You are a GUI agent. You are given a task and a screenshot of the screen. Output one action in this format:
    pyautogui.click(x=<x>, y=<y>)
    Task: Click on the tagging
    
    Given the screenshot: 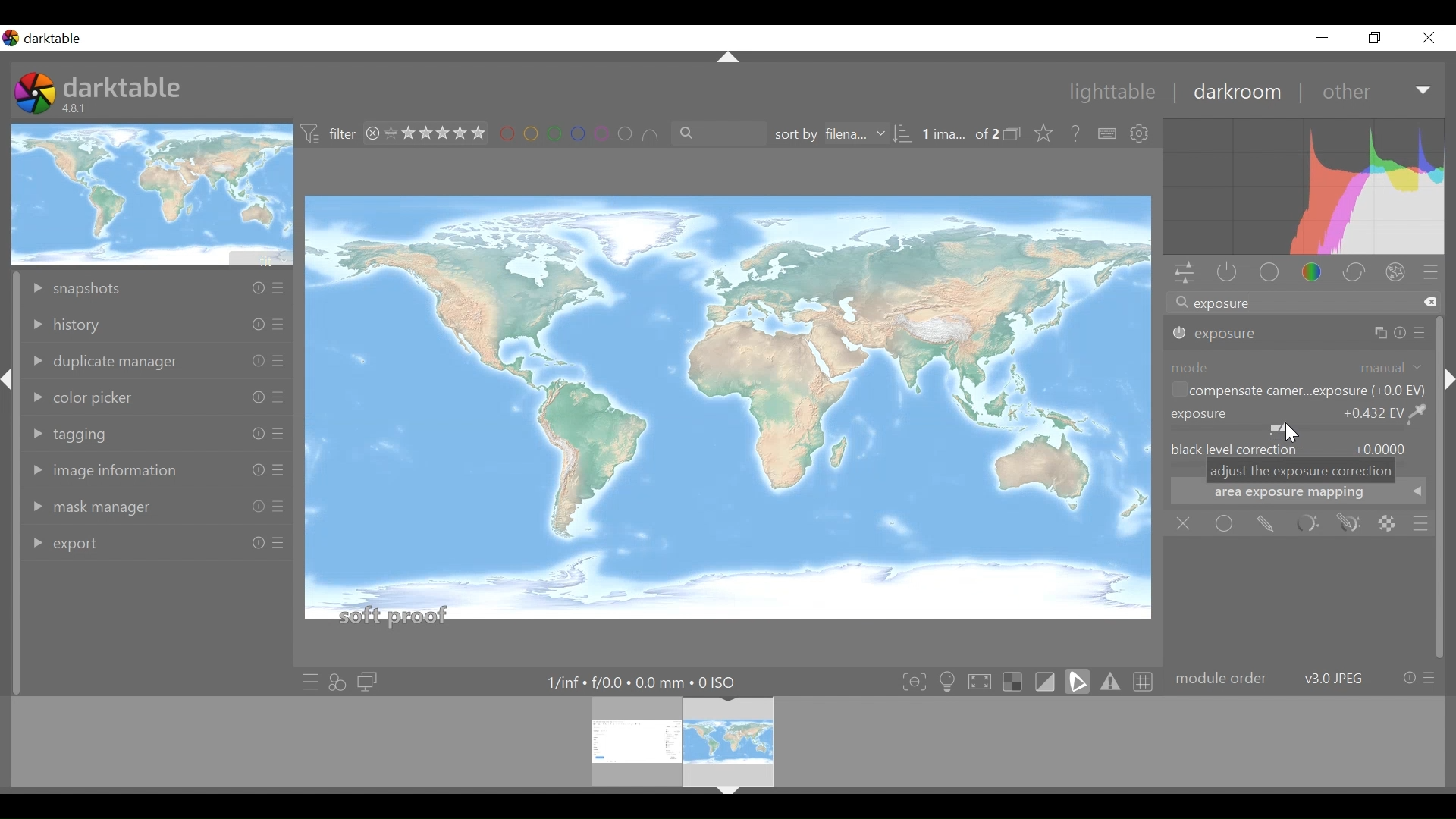 What is the action you would take?
    pyautogui.click(x=81, y=433)
    